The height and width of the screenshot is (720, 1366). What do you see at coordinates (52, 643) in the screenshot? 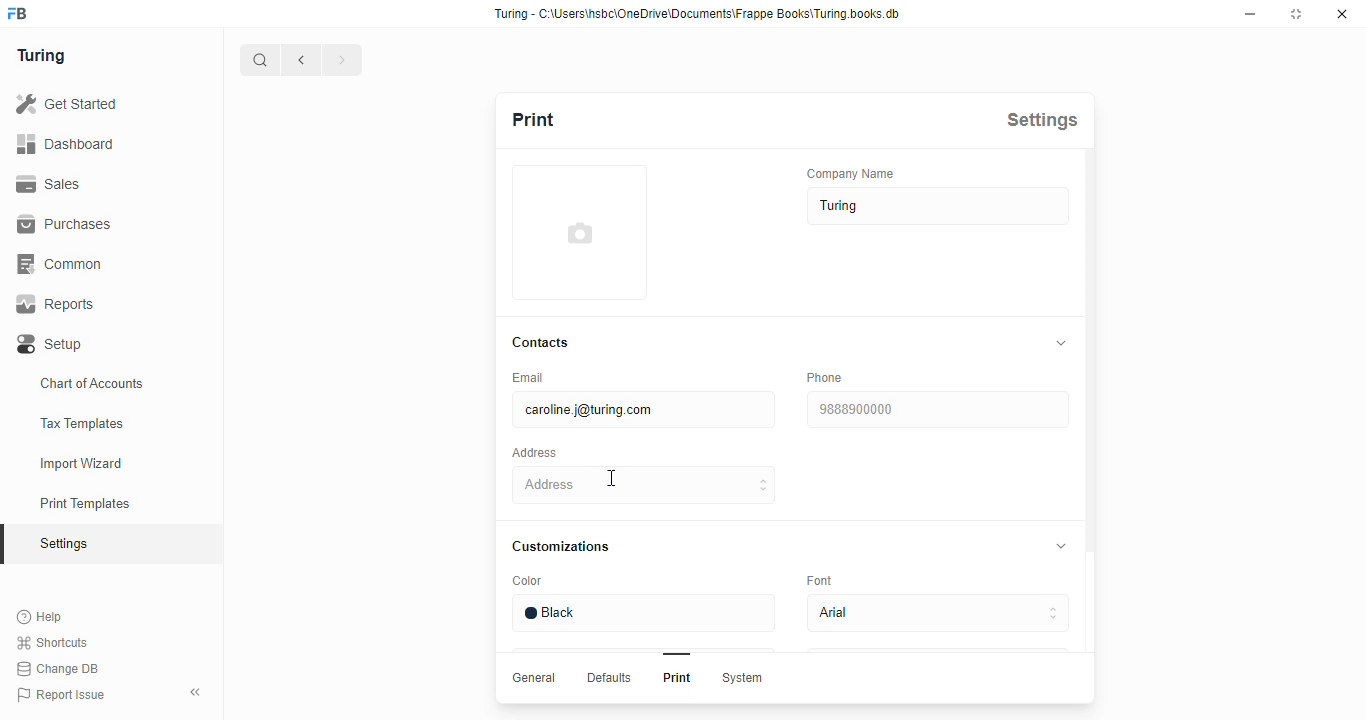
I see `shortcuts` at bounding box center [52, 643].